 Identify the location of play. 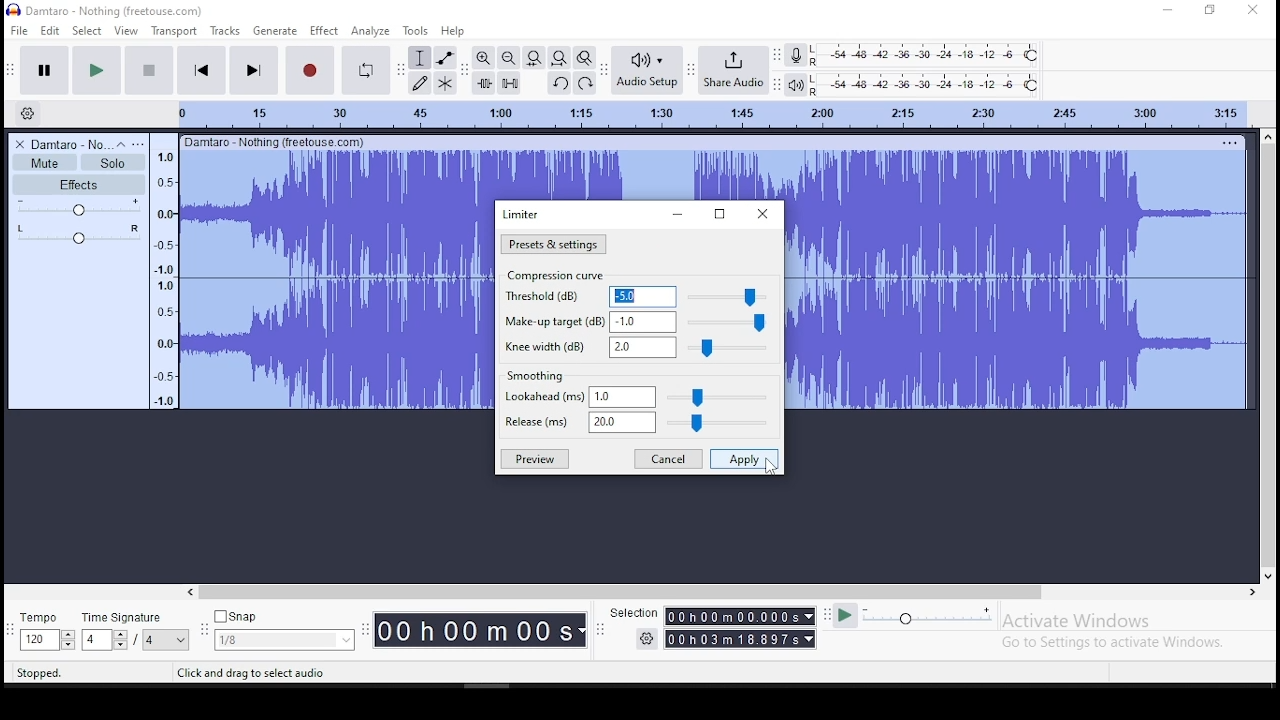
(100, 69).